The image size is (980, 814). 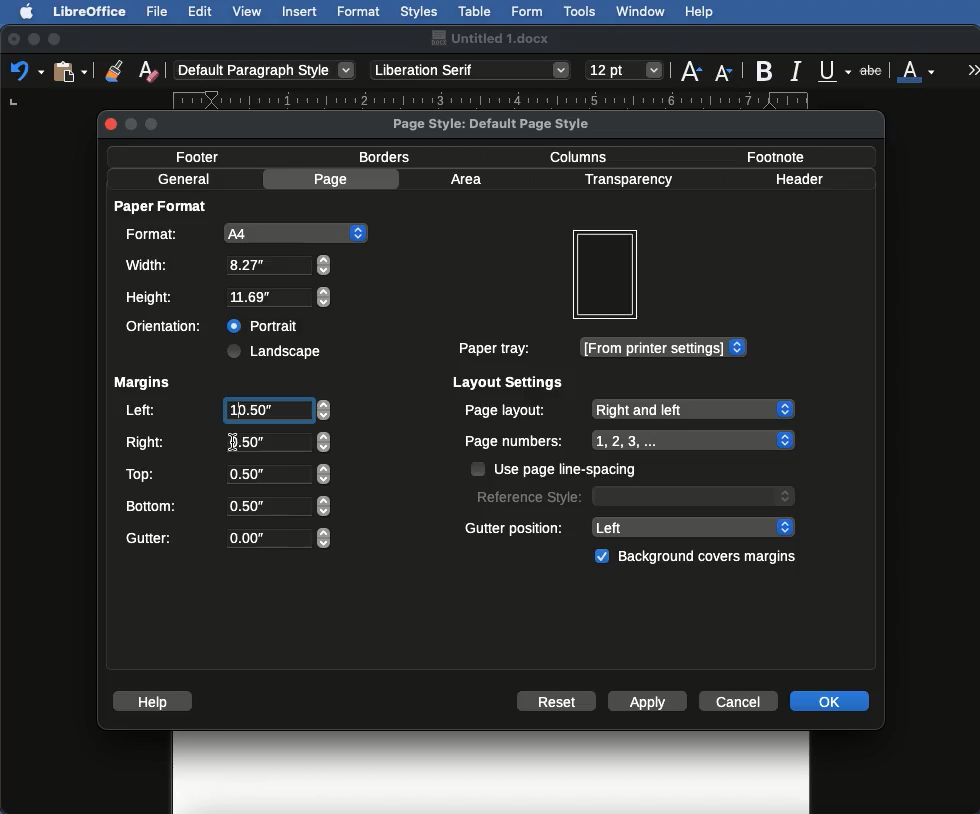 I want to click on Edit, so click(x=200, y=11).